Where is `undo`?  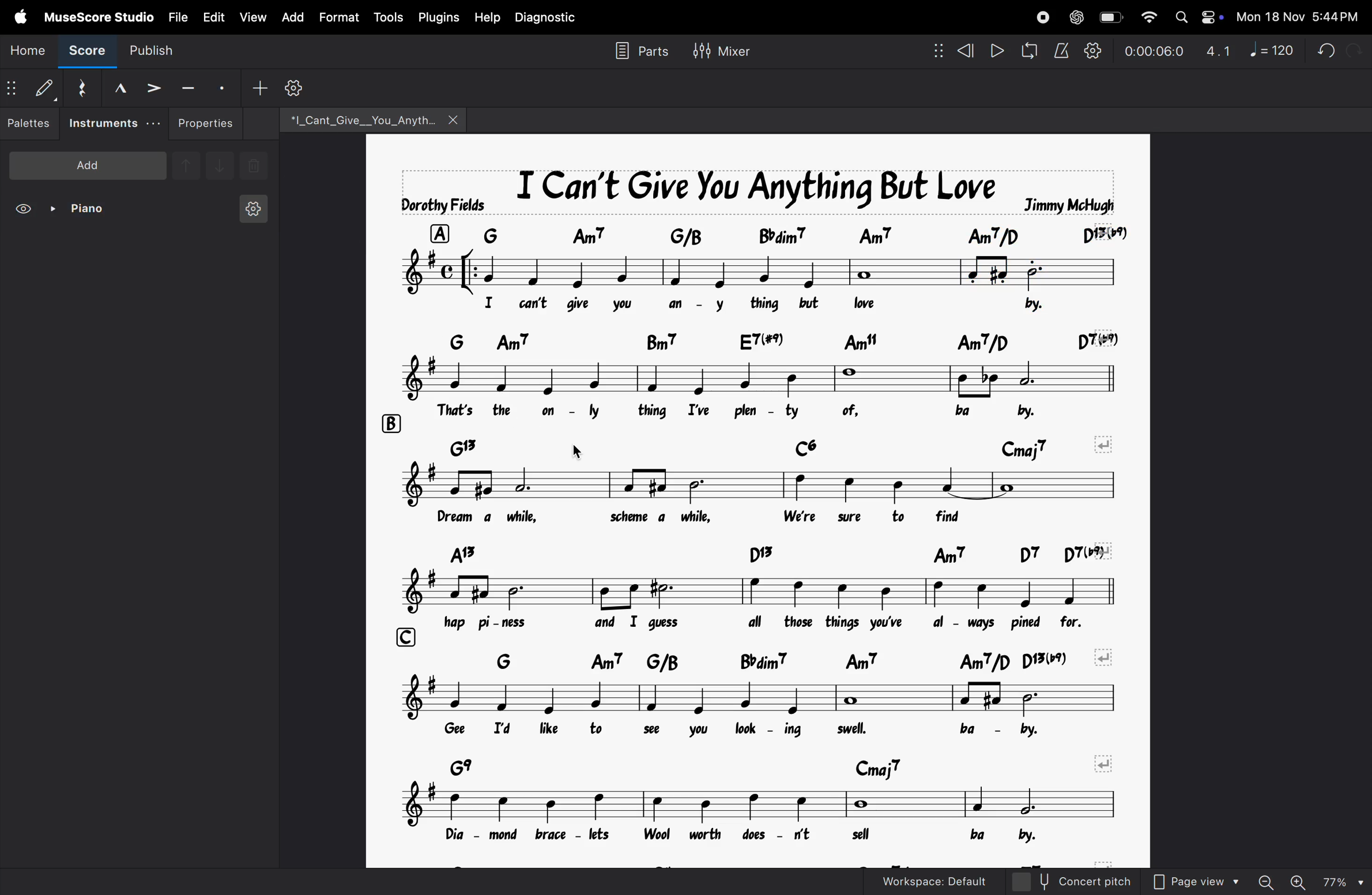
undo is located at coordinates (1322, 48).